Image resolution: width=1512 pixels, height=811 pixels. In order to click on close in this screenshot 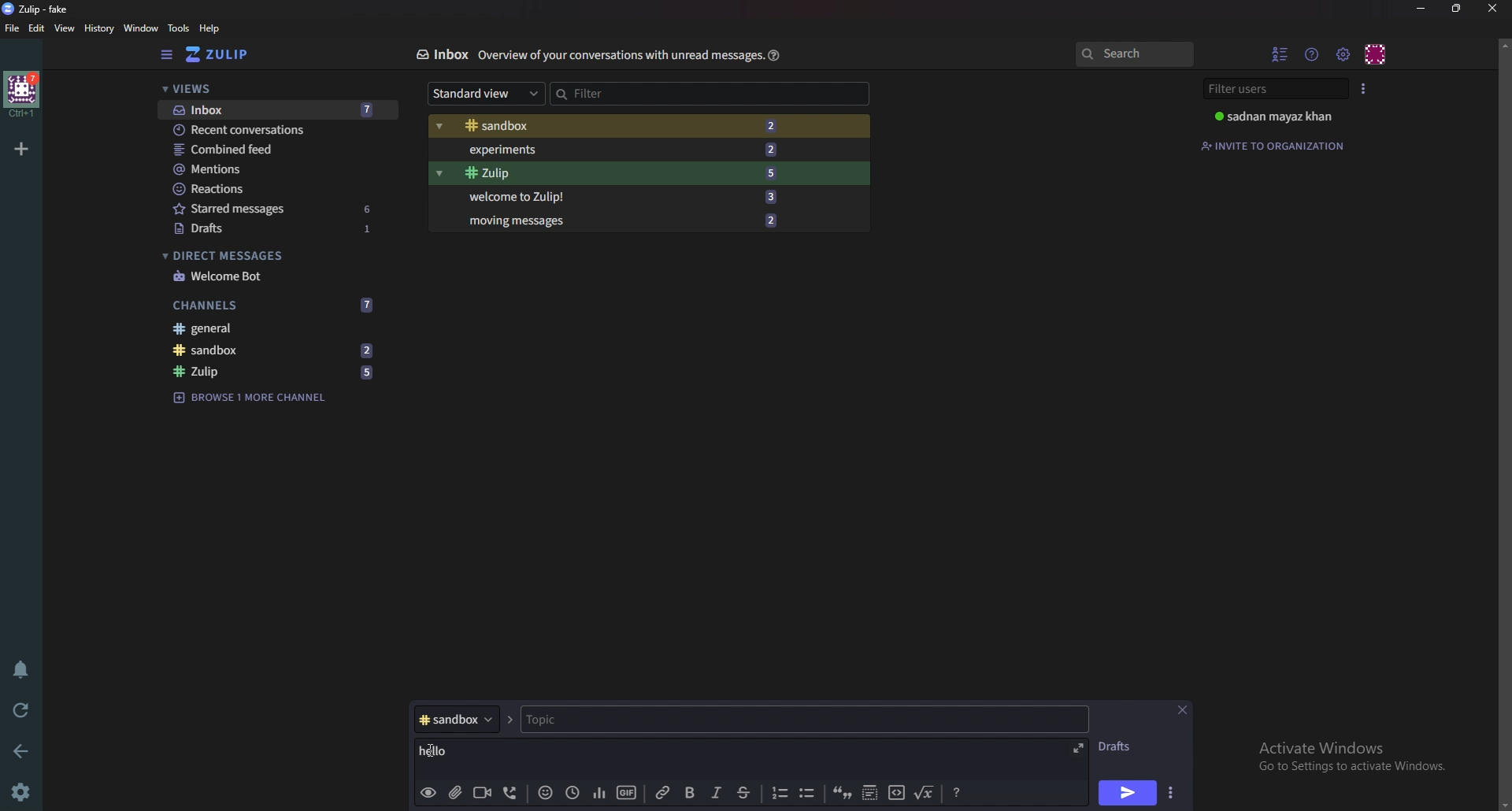, I will do `click(1184, 709)`.